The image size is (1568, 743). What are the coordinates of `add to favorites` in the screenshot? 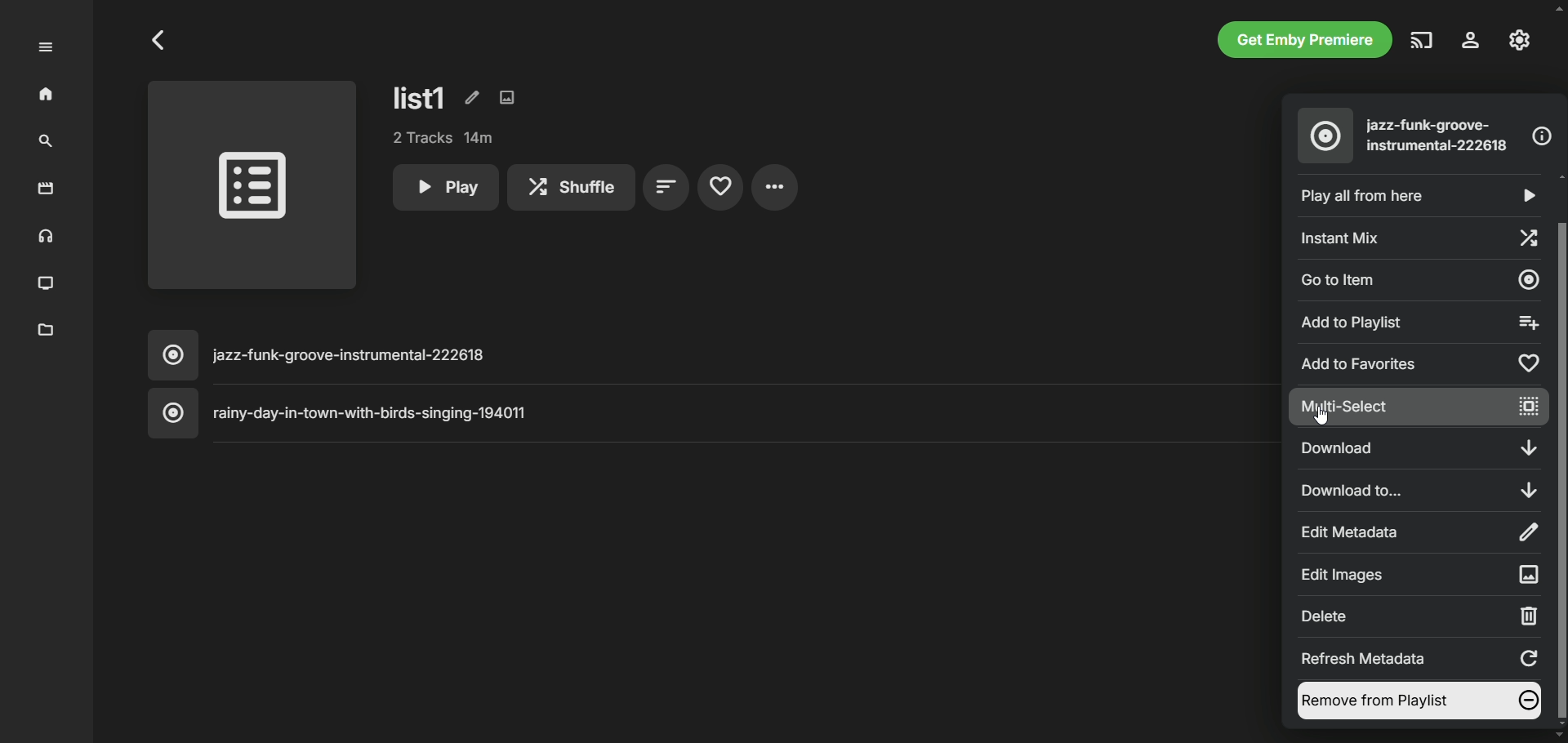 It's located at (1418, 364).